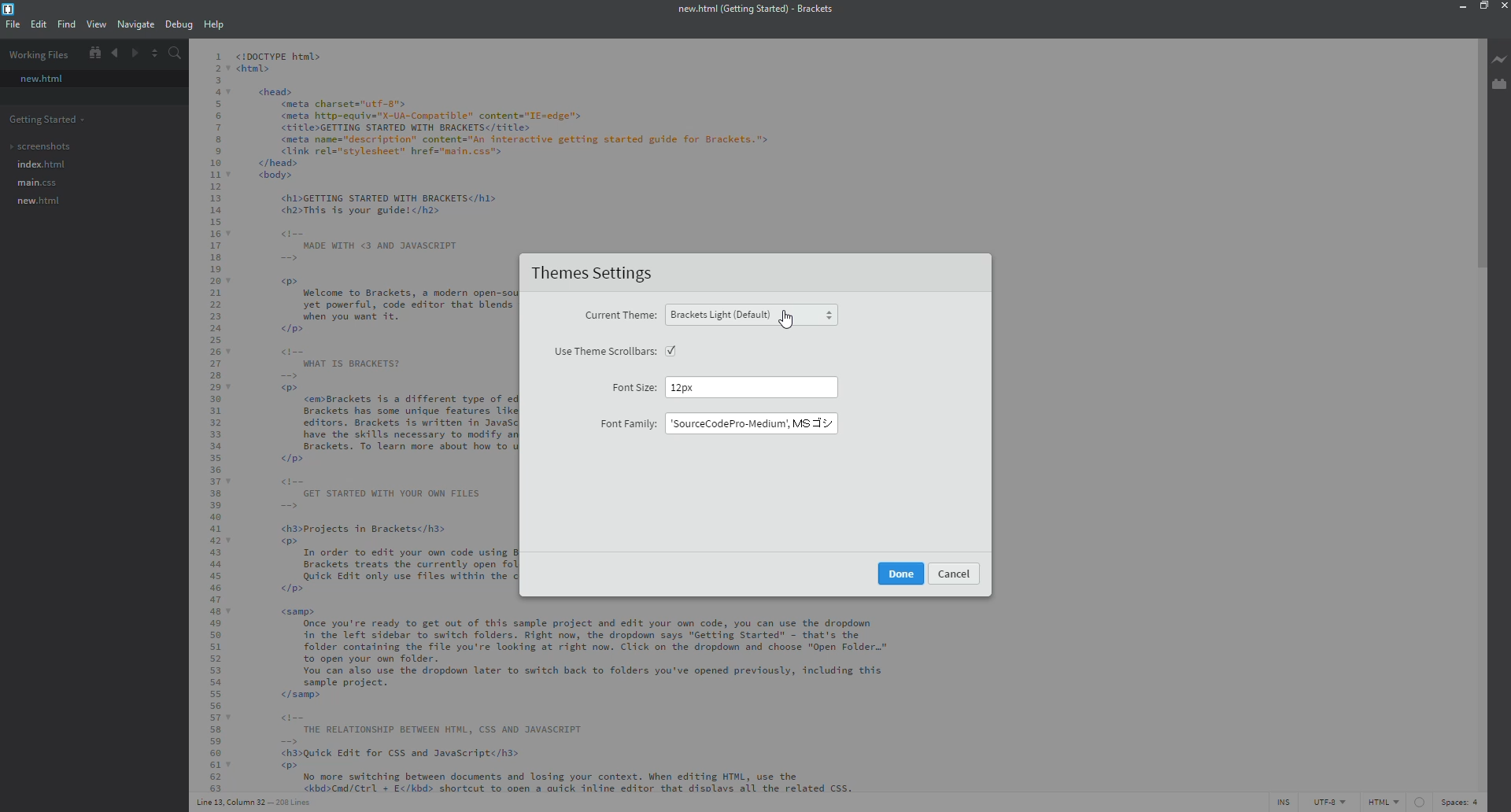 The image size is (1511, 812). What do you see at coordinates (48, 120) in the screenshot?
I see `getting started` at bounding box center [48, 120].